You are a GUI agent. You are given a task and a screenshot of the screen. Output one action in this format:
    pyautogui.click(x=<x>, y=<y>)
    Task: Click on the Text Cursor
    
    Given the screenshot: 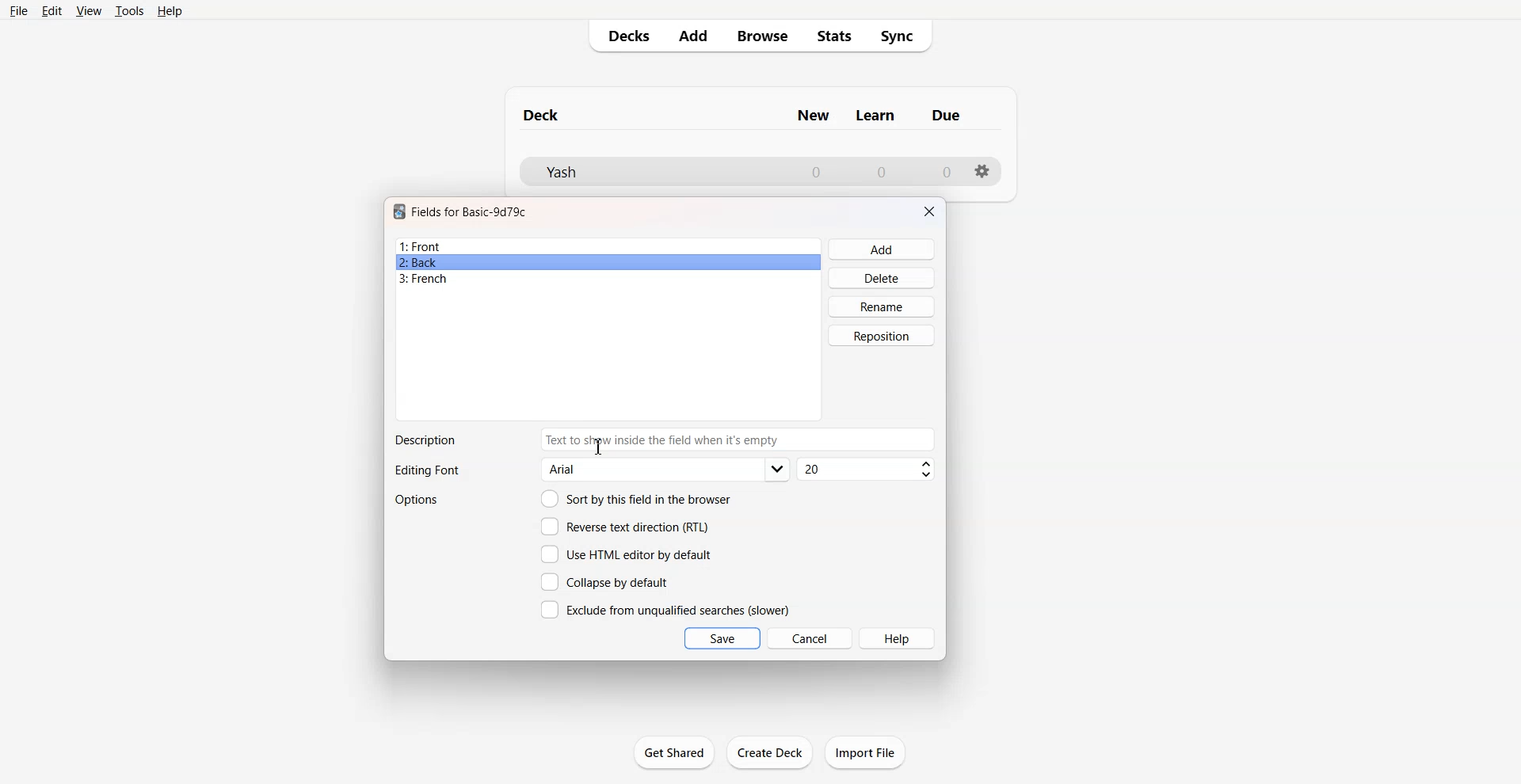 What is the action you would take?
    pyautogui.click(x=599, y=446)
    